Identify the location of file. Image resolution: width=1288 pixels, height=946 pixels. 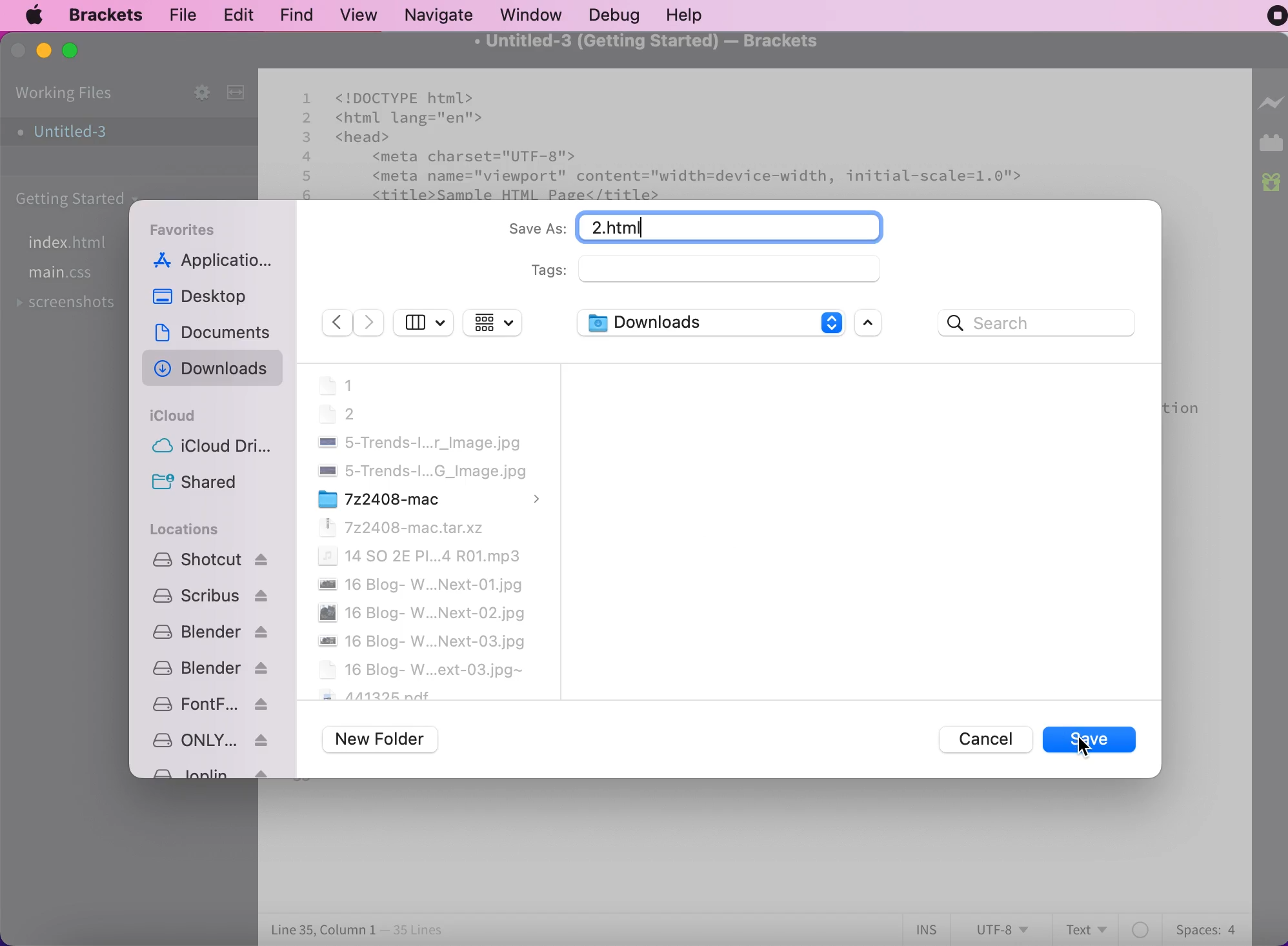
(183, 15).